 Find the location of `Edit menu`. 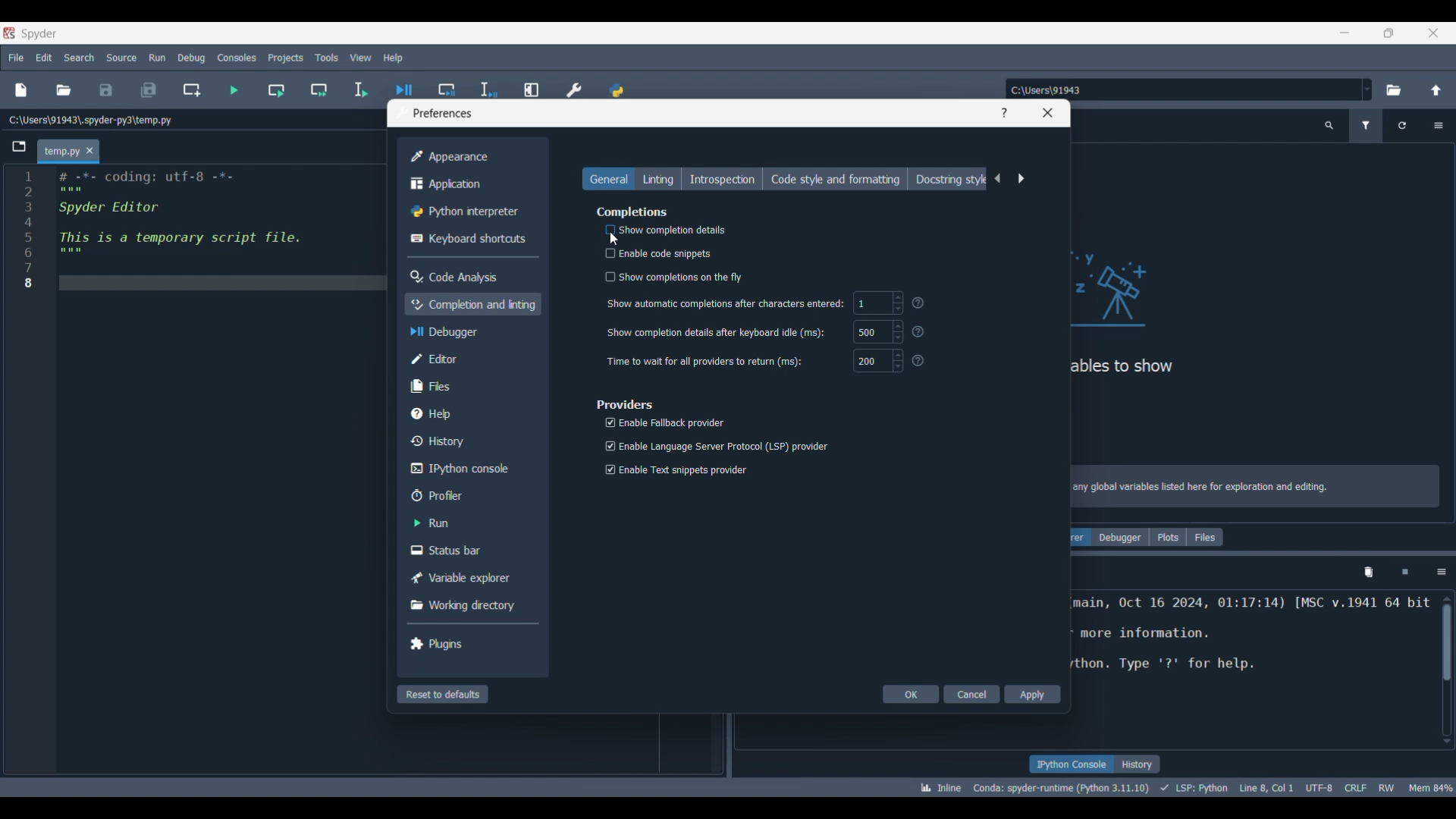

Edit menu is located at coordinates (45, 58).